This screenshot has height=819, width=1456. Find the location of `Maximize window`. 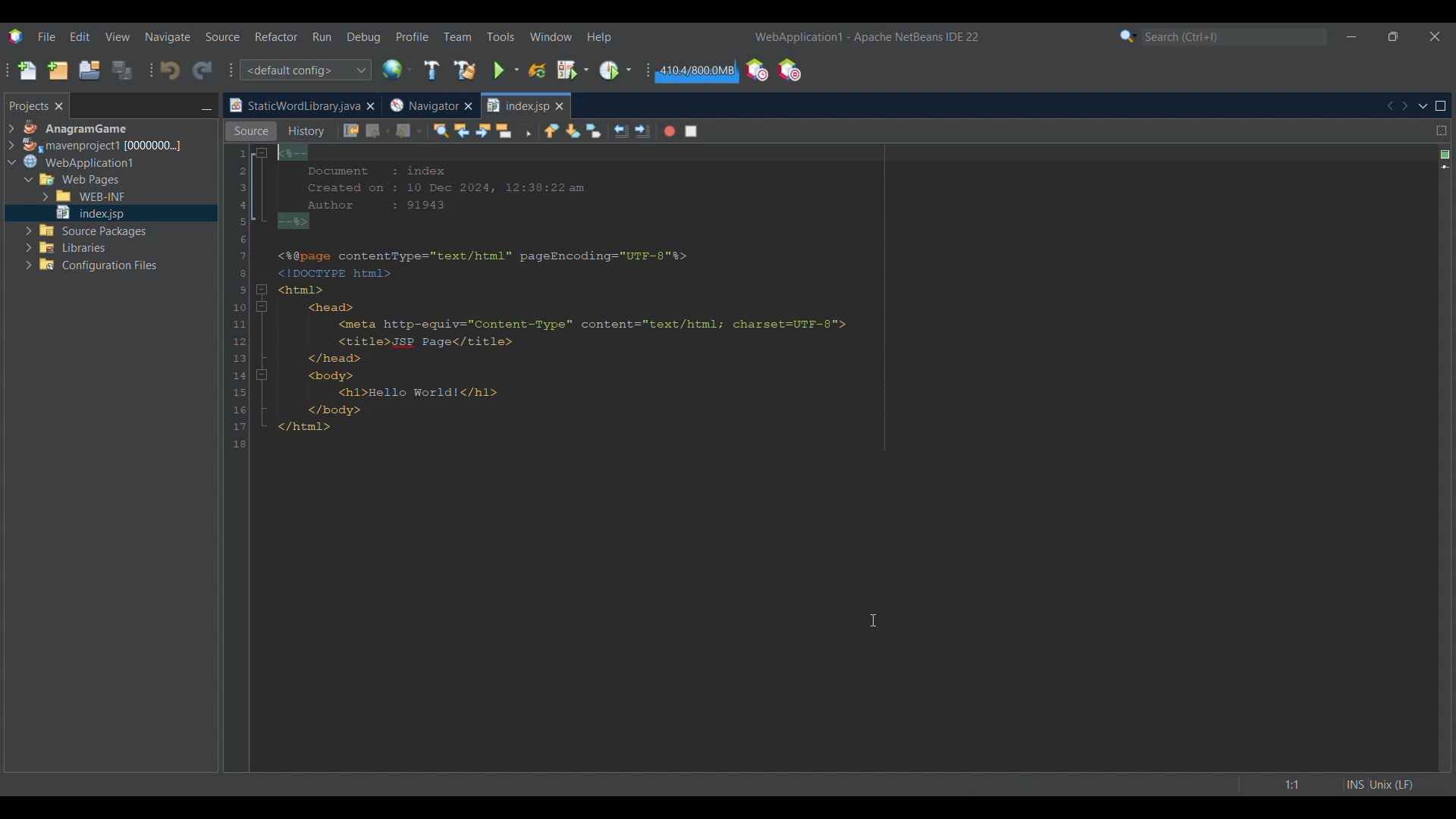

Maximize window is located at coordinates (1441, 106).